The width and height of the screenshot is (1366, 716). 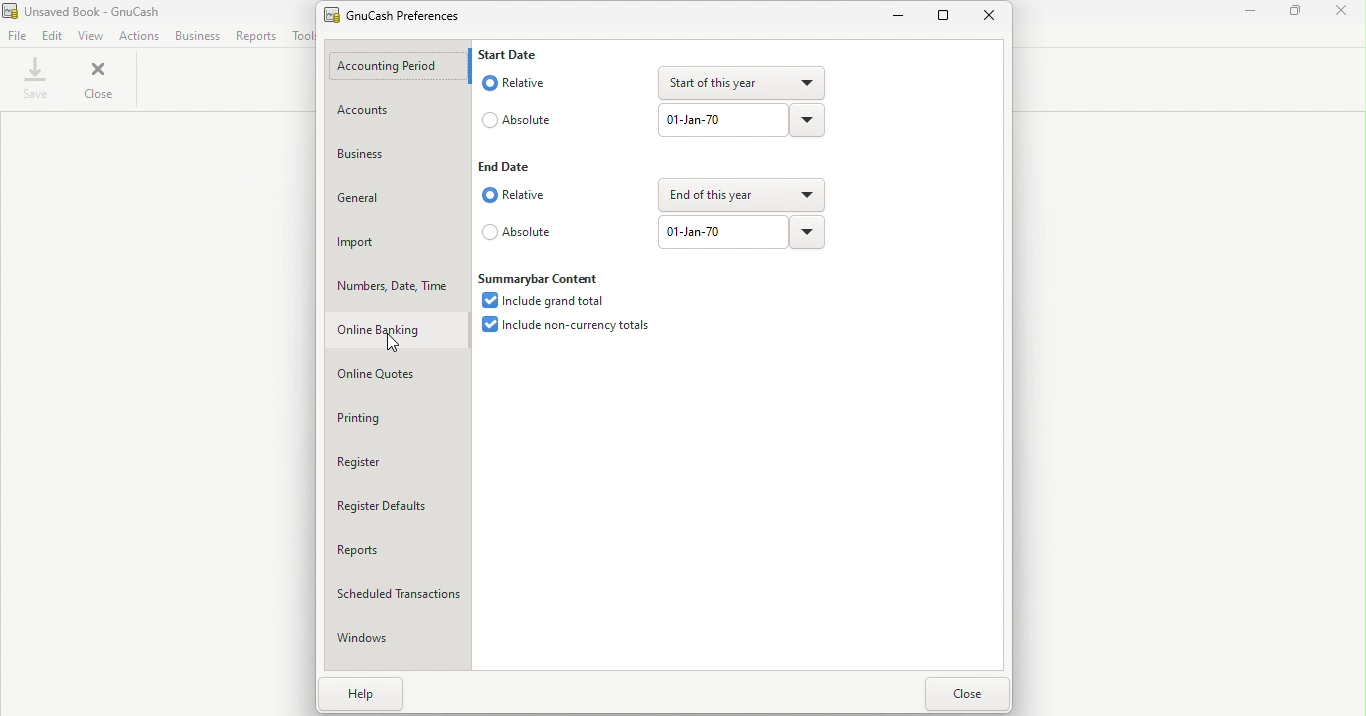 What do you see at coordinates (1252, 13) in the screenshot?
I see `Minimize` at bounding box center [1252, 13].